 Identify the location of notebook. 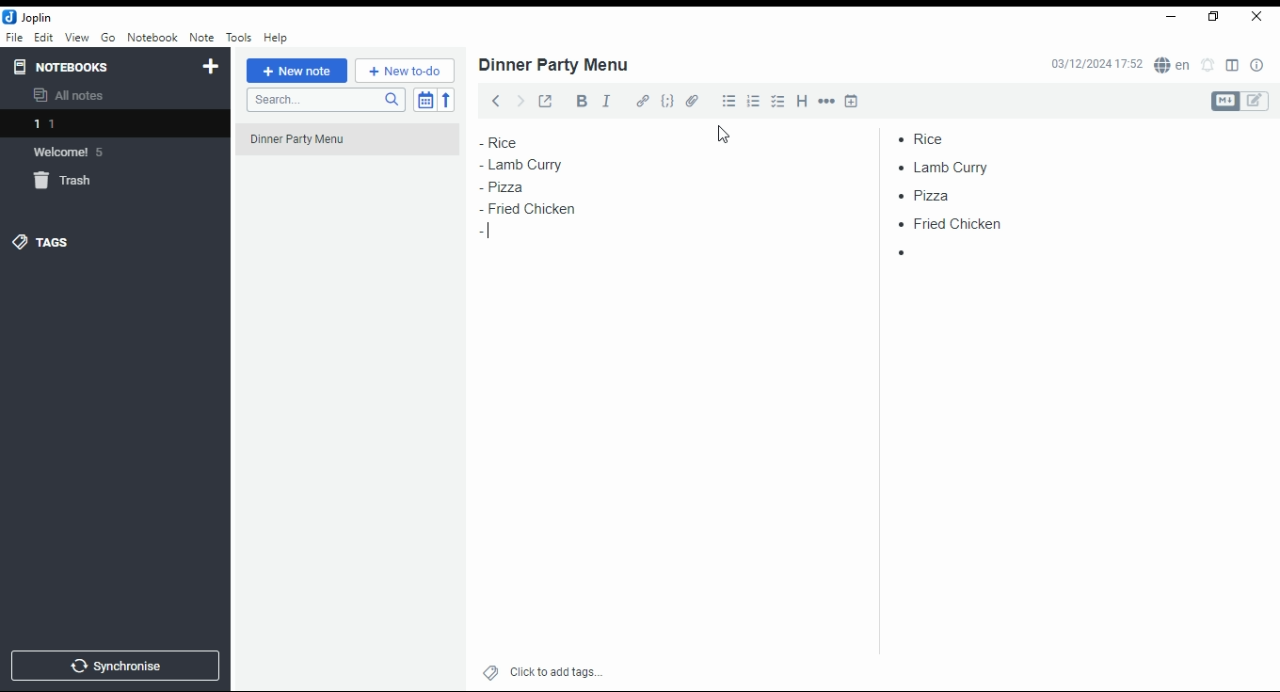
(152, 37).